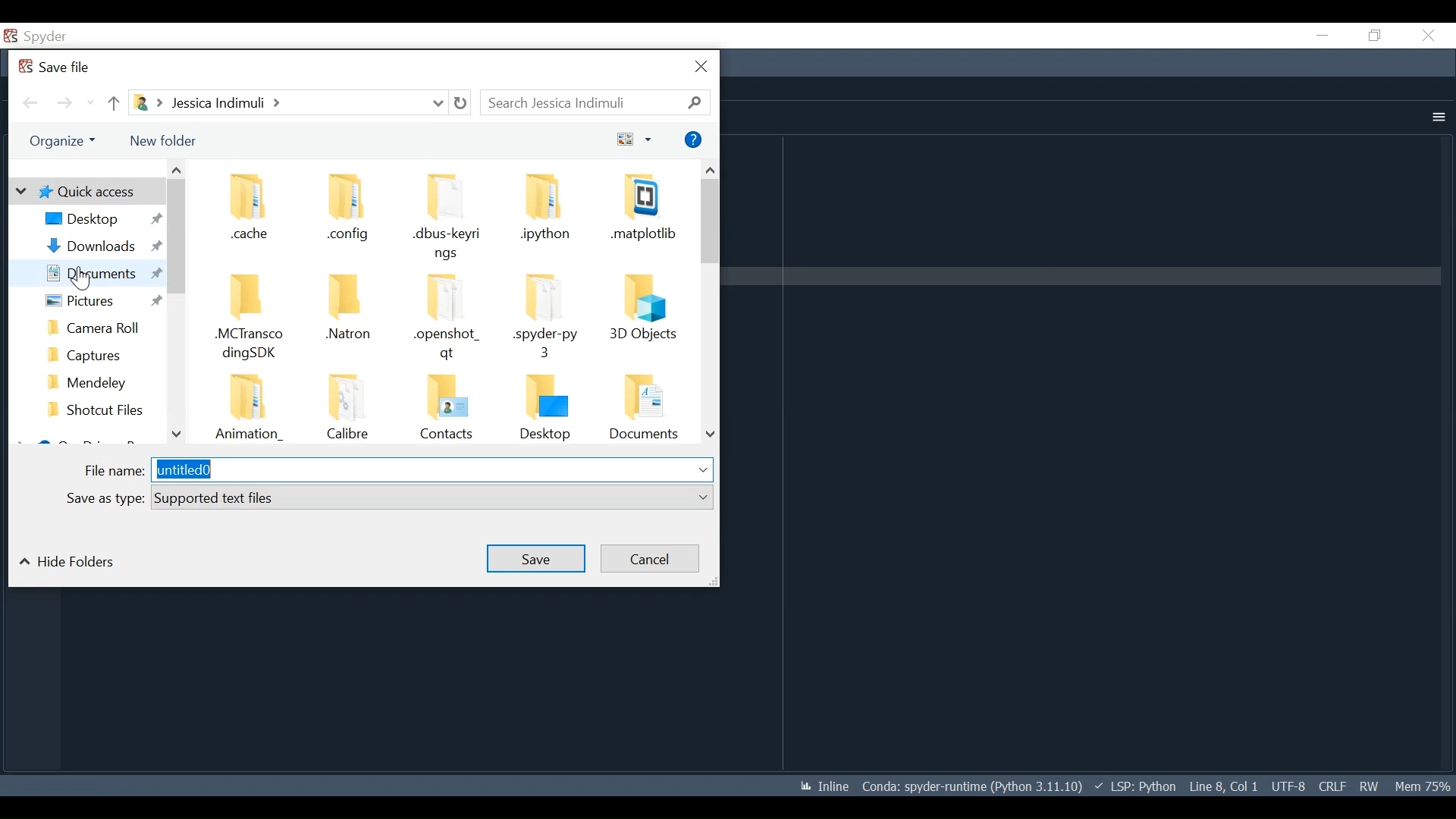 The width and height of the screenshot is (1456, 819). Describe the element at coordinates (970, 786) in the screenshot. I see `Conda Environment Indicator` at that location.